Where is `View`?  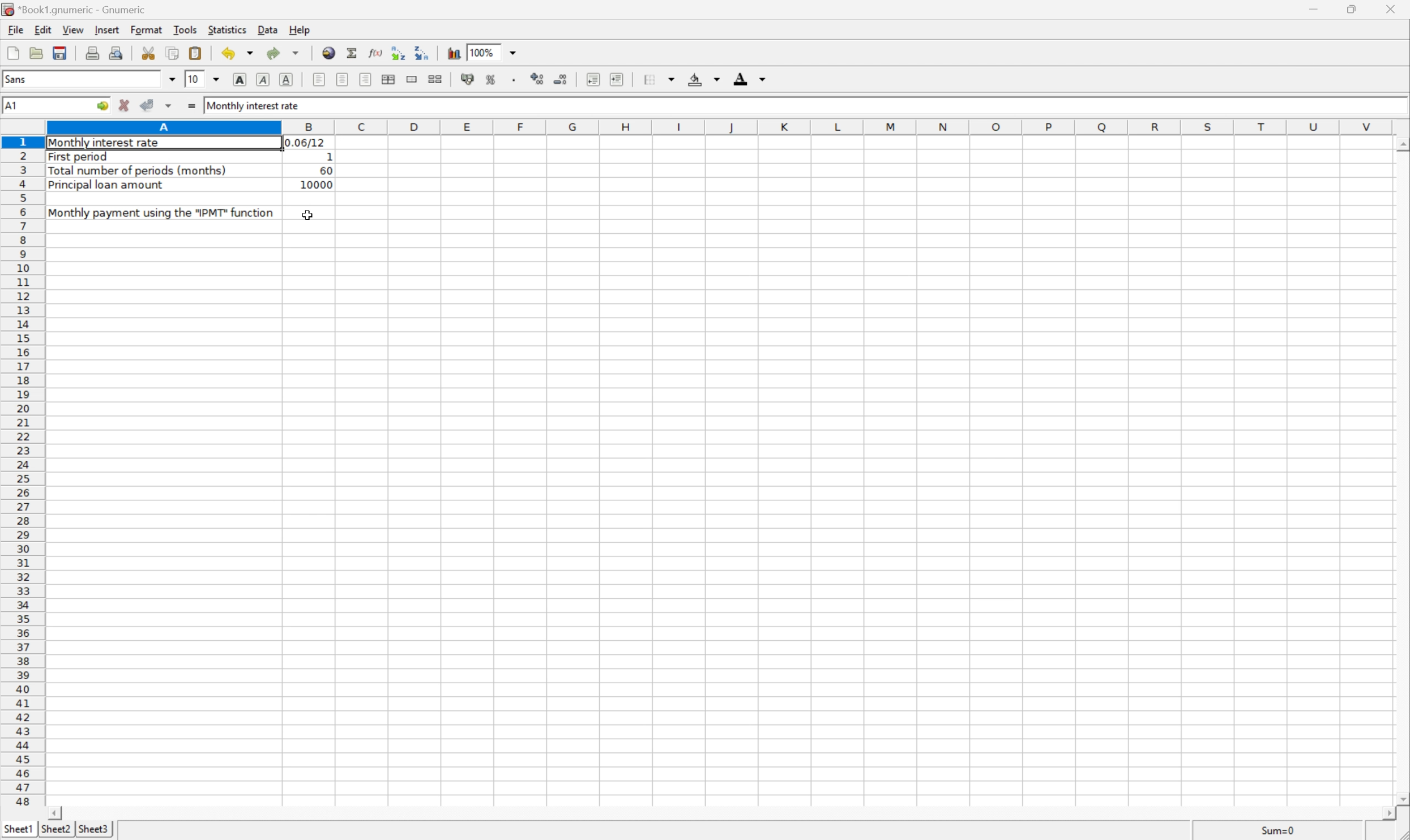 View is located at coordinates (71, 29).